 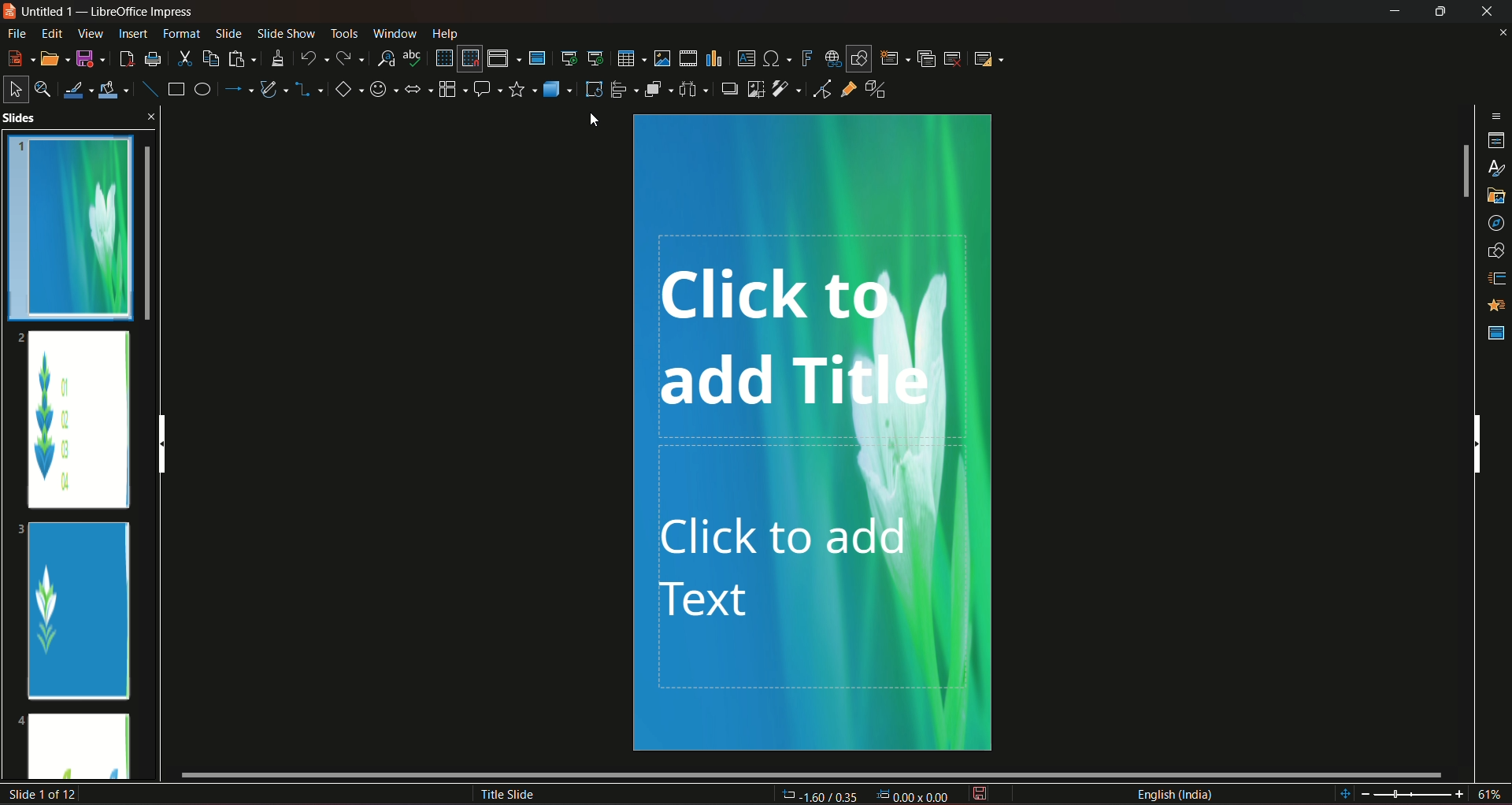 I want to click on toggle point edit, so click(x=820, y=91).